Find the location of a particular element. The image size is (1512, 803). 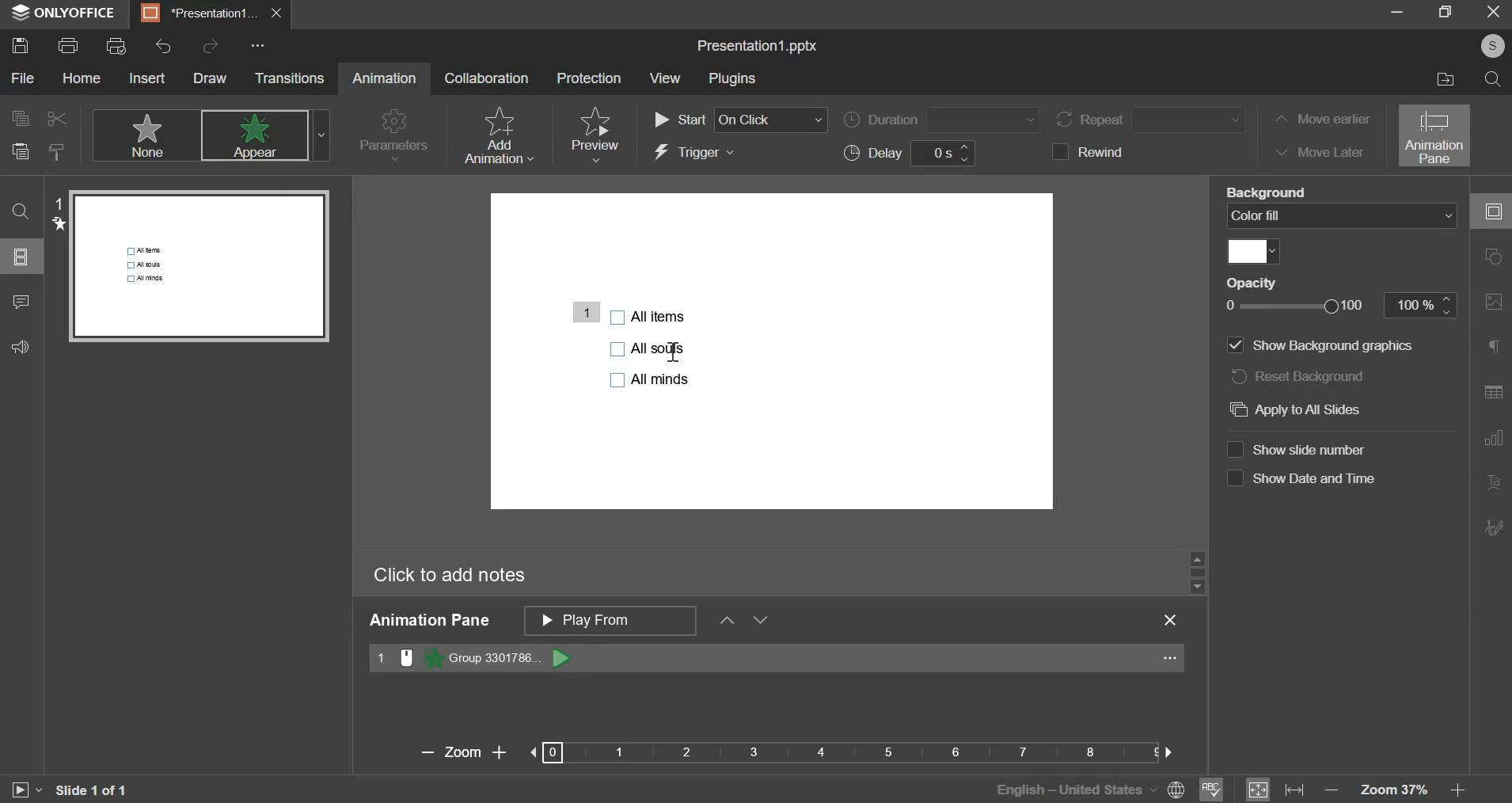

file location is located at coordinates (1439, 79).